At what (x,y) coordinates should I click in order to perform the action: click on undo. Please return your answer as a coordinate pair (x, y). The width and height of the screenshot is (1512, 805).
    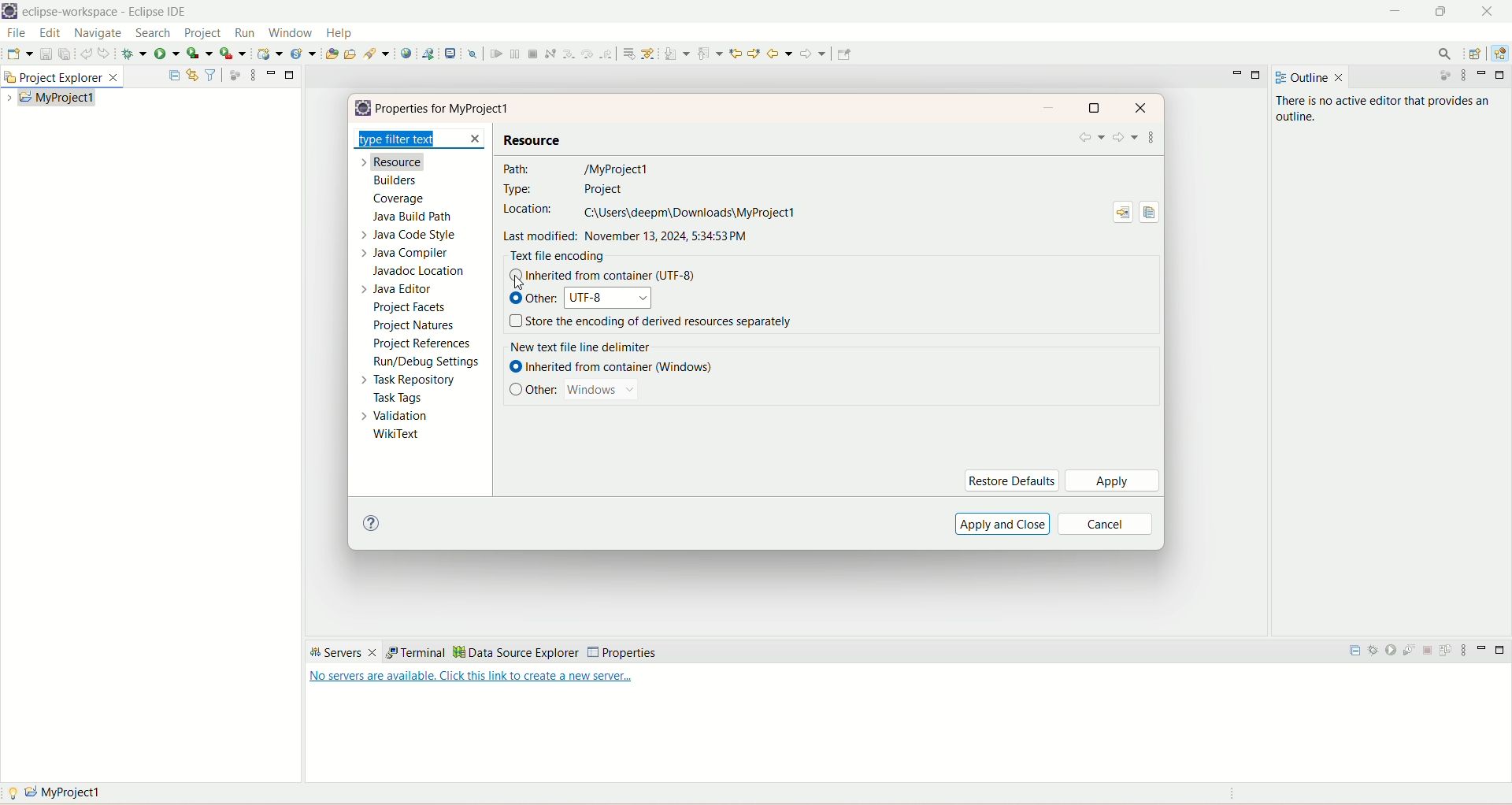
    Looking at the image, I should click on (86, 52).